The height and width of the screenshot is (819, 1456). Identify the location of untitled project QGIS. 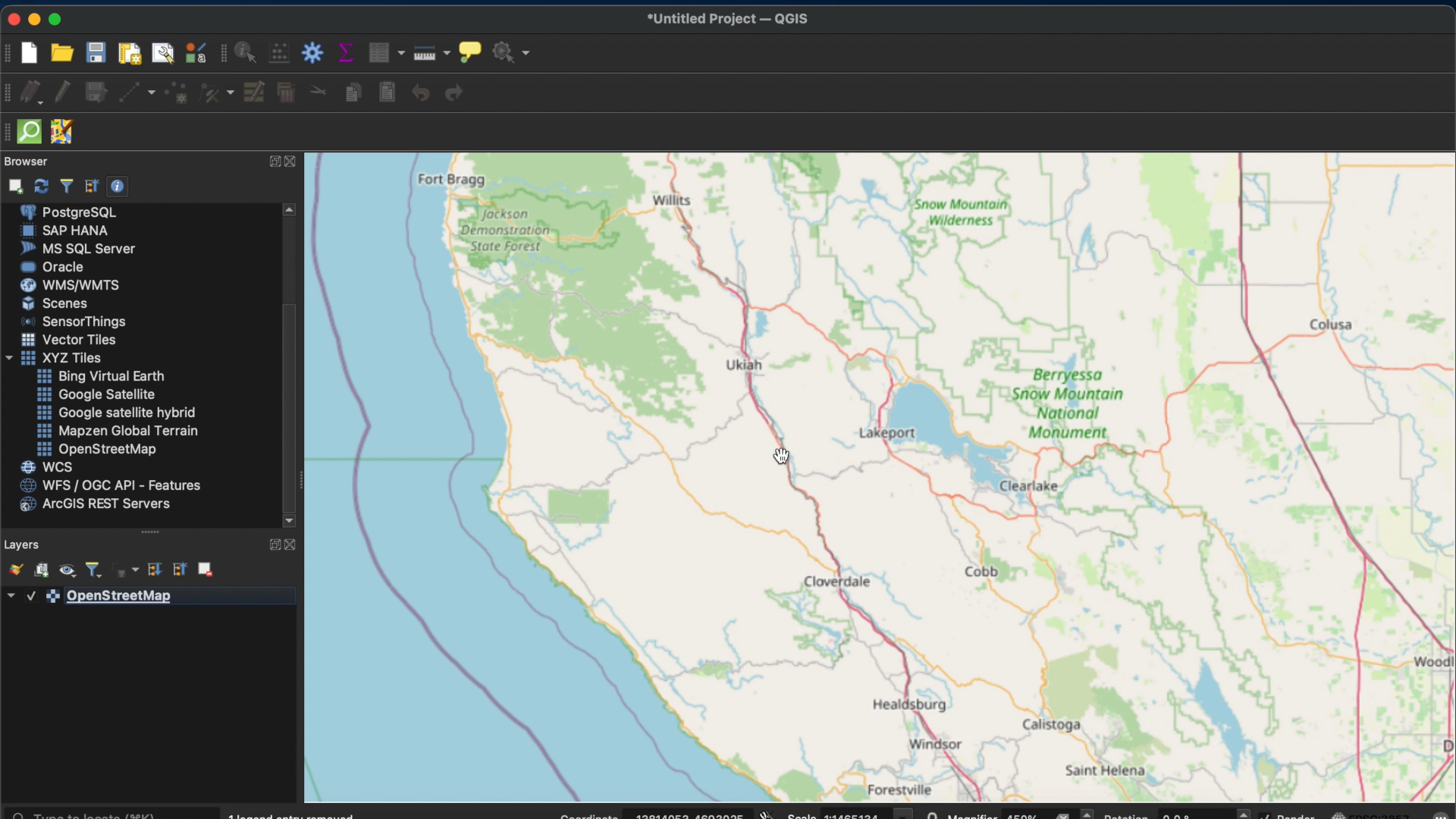
(727, 19).